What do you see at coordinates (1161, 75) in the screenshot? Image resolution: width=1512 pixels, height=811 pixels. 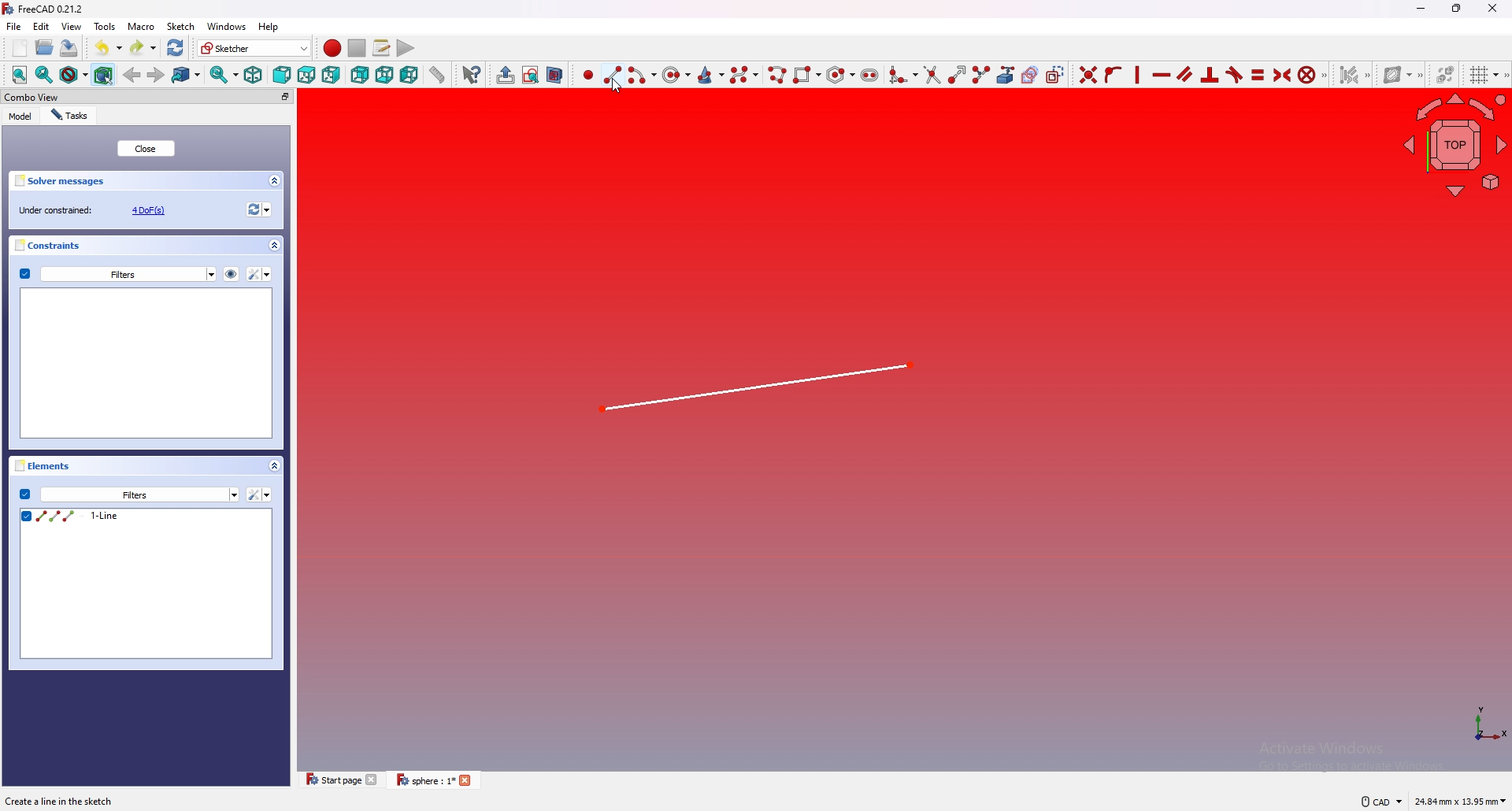 I see `Constrain horizontally` at bounding box center [1161, 75].